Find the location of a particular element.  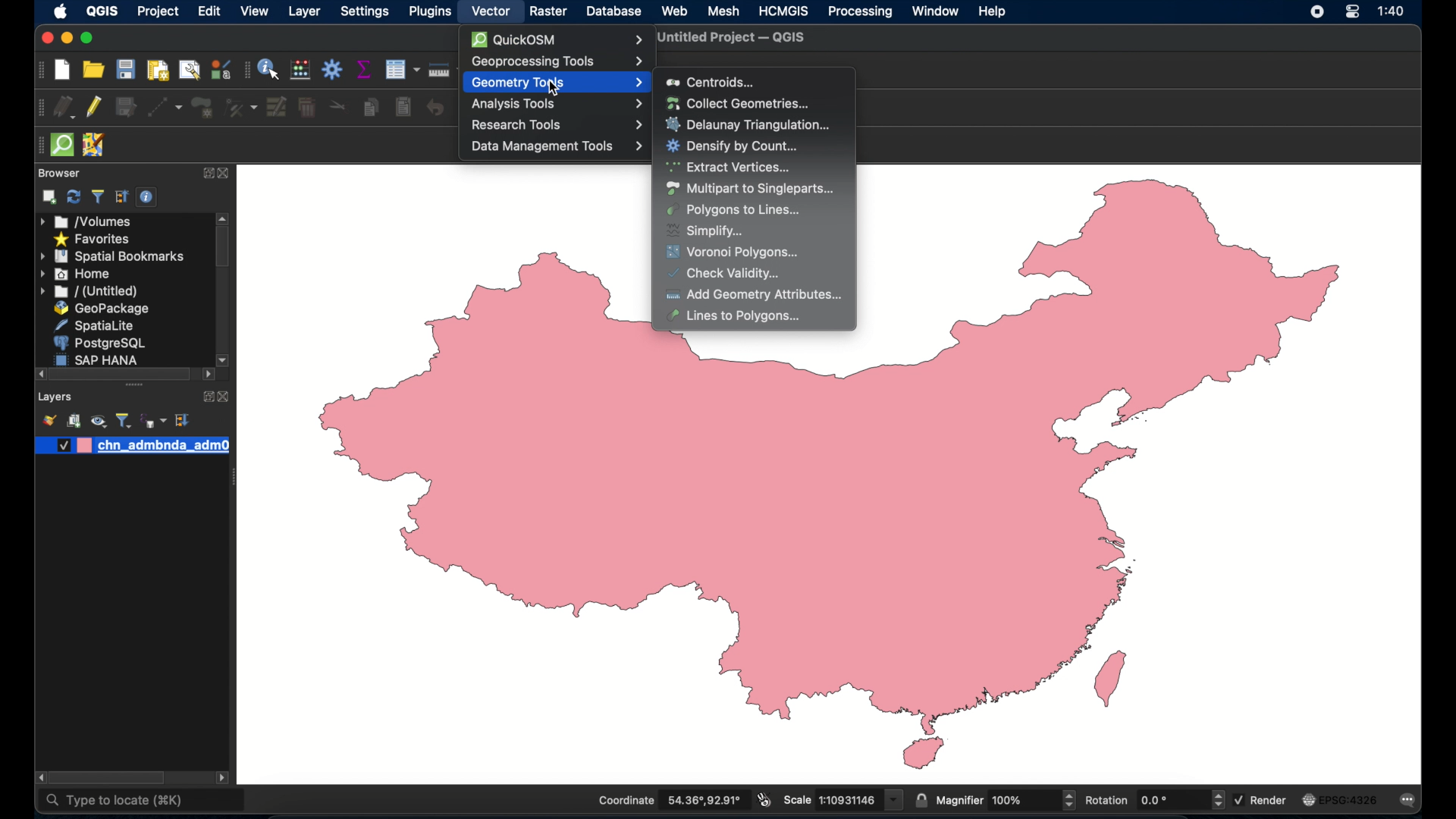

delete selected is located at coordinates (306, 108).